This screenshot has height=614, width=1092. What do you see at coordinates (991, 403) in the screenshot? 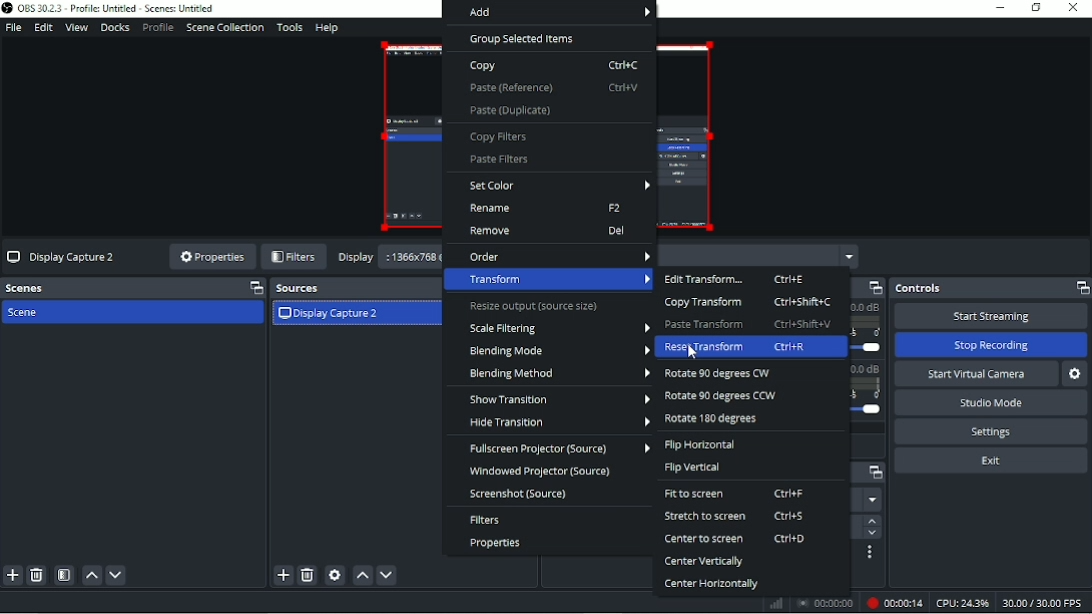
I see `Studio mode` at bounding box center [991, 403].